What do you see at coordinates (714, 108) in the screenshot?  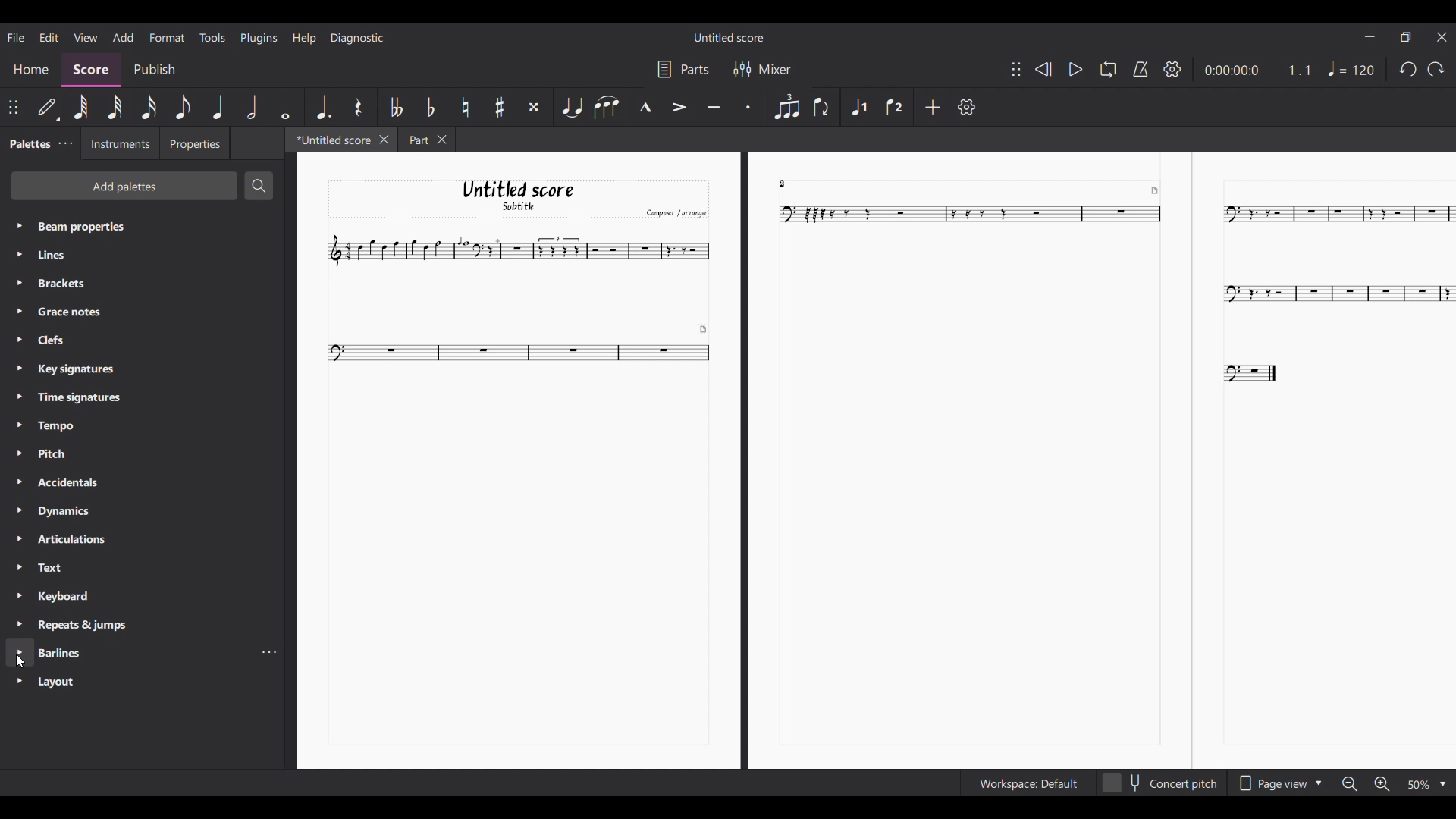 I see `Tenuto` at bounding box center [714, 108].